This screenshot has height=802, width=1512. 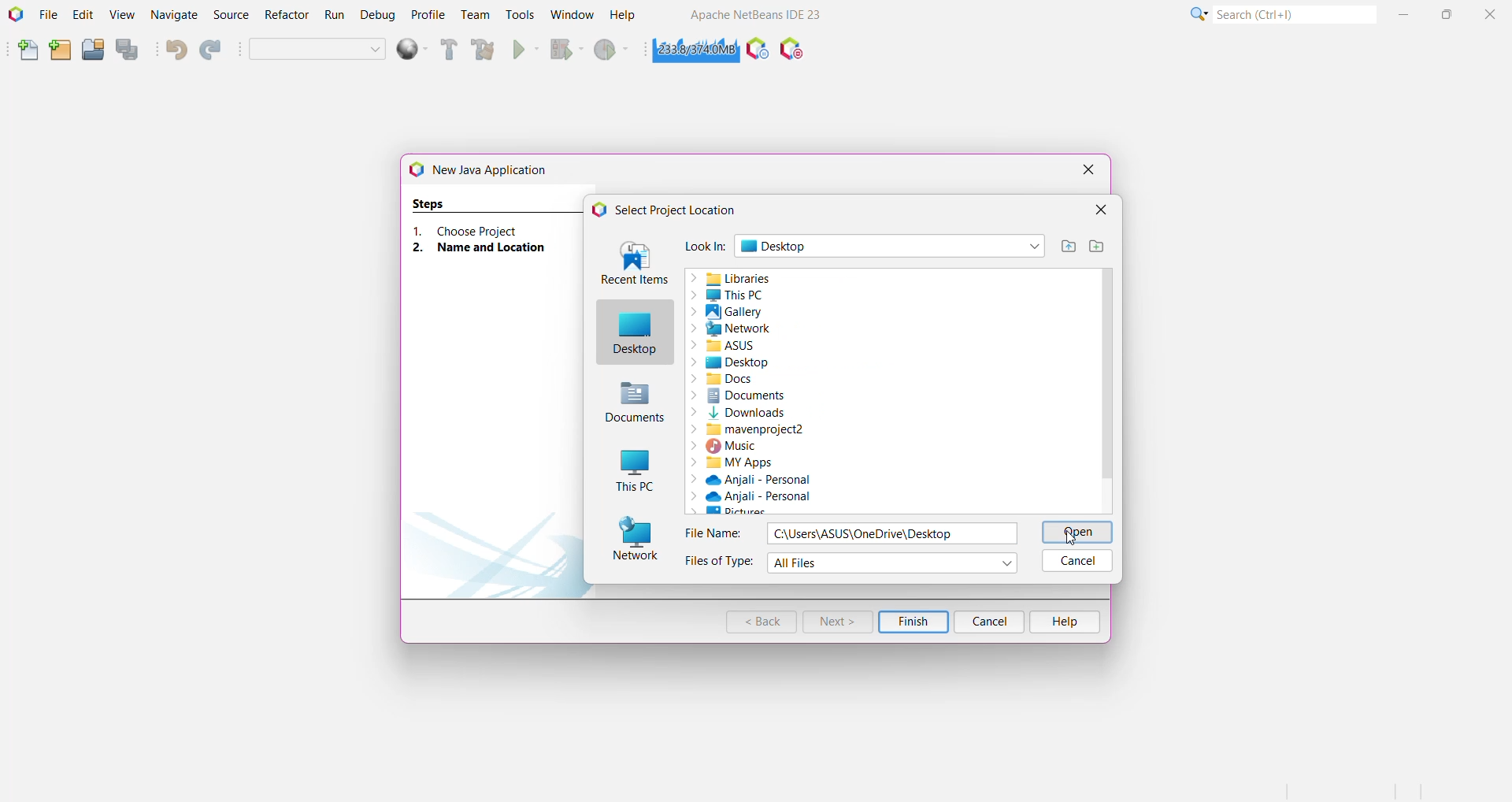 I want to click on Refractor, so click(x=285, y=15).